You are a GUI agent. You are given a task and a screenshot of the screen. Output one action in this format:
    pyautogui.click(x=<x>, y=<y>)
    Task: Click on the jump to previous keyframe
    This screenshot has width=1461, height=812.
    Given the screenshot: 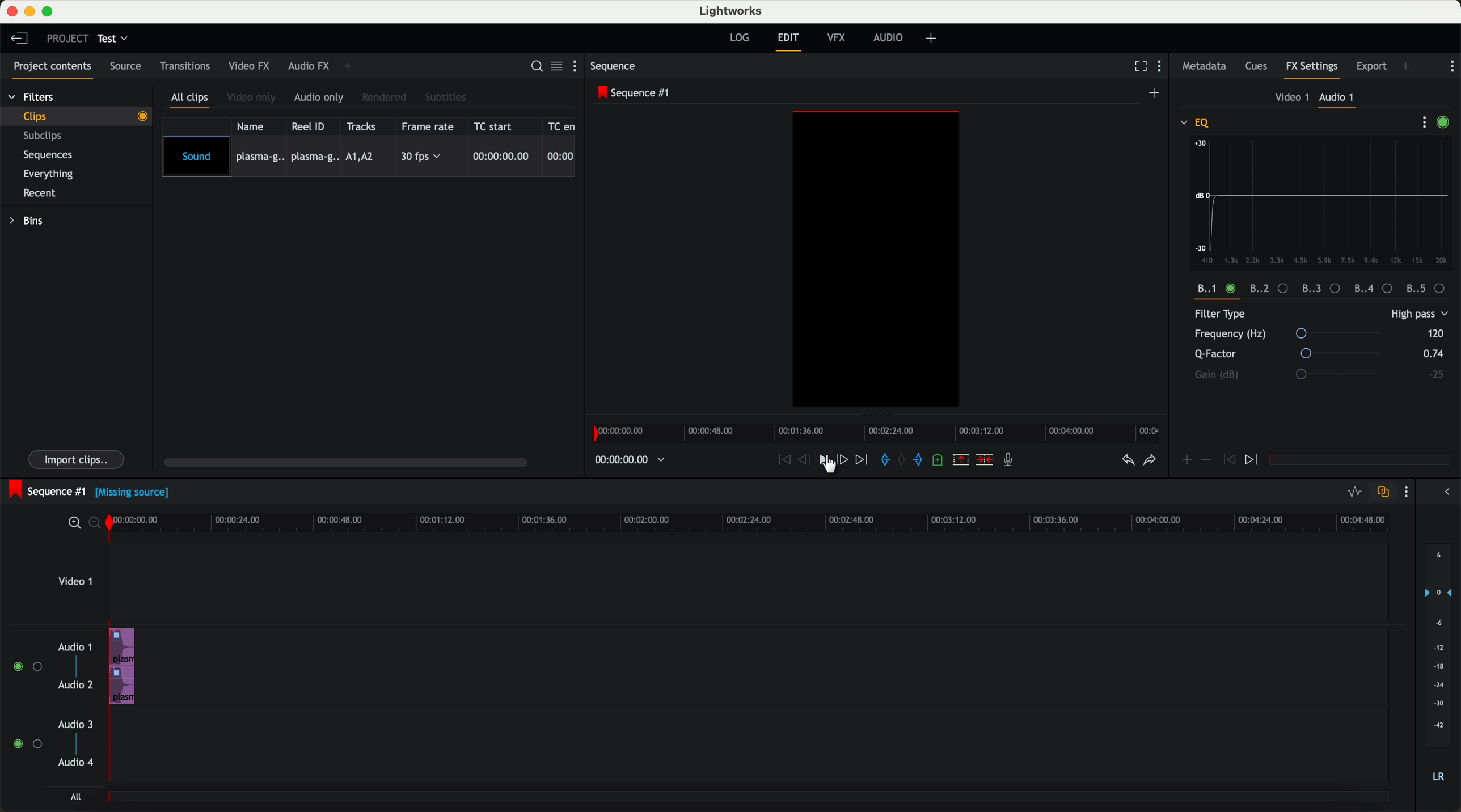 What is the action you would take?
    pyautogui.click(x=1230, y=463)
    